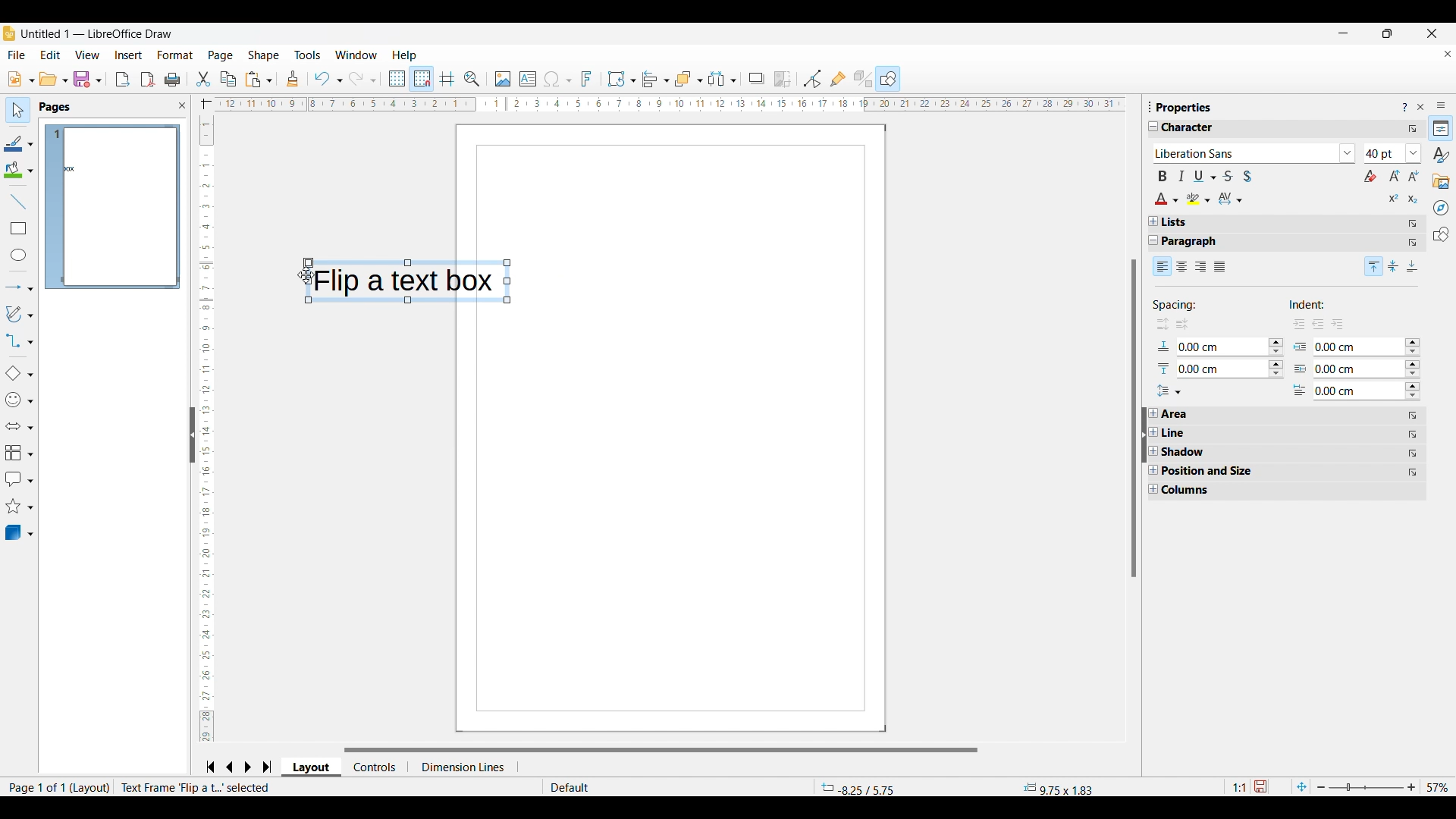 This screenshot has height=819, width=1456. I want to click on left indent, so click(1319, 325).